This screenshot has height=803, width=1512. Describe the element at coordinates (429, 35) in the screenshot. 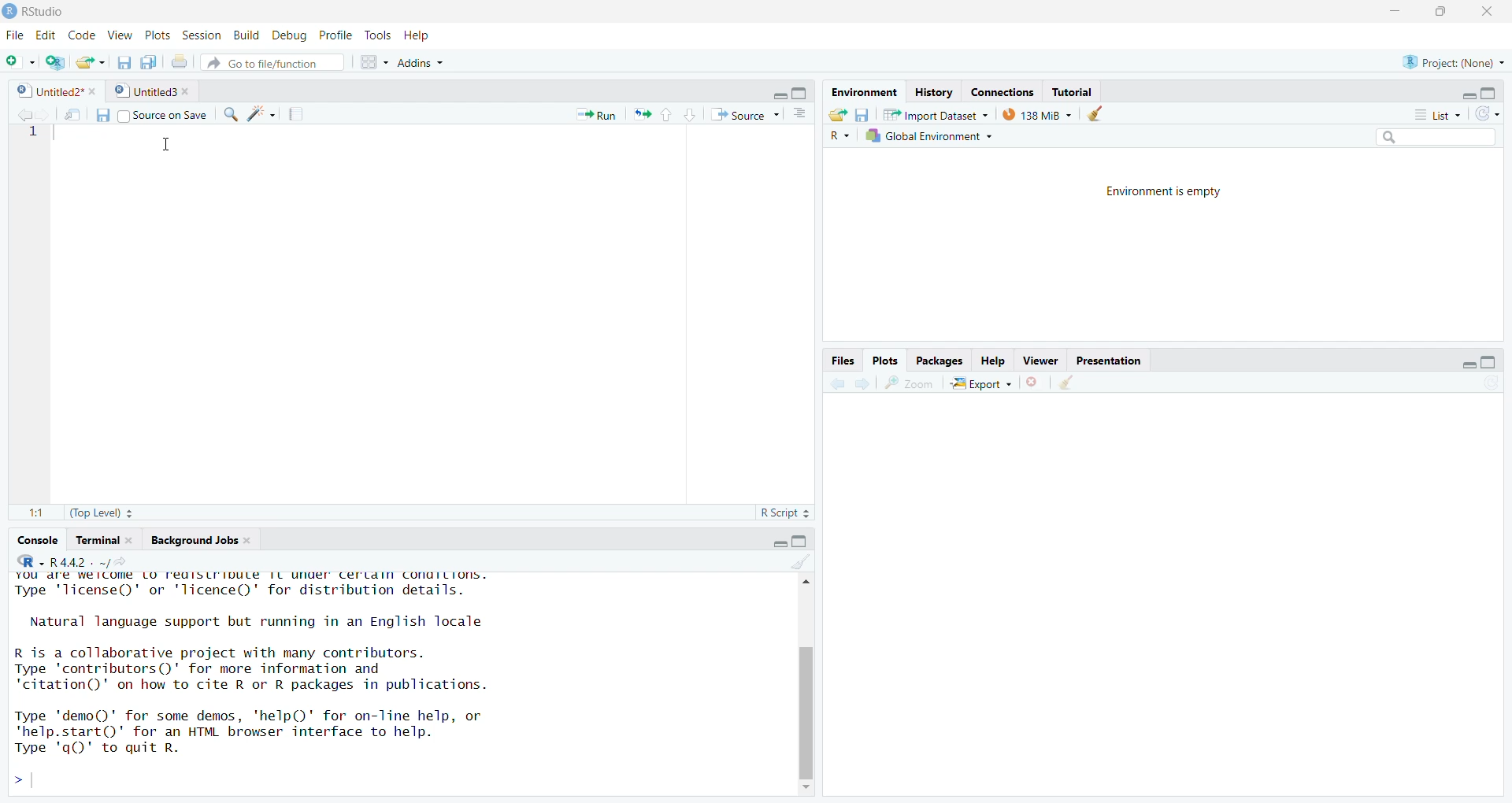

I see `Help` at that location.